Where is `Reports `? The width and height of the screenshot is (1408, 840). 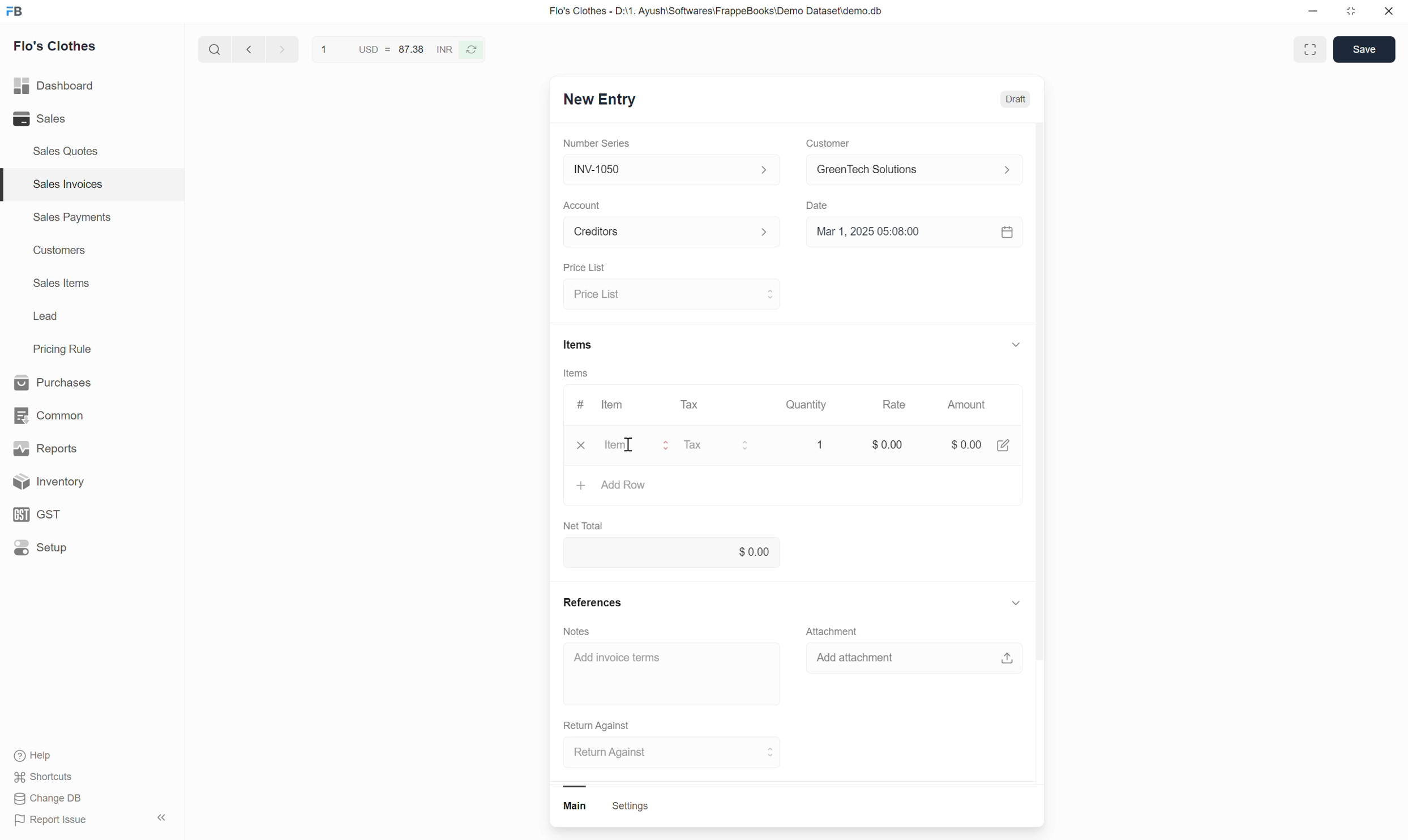
Reports  is located at coordinates (76, 447).